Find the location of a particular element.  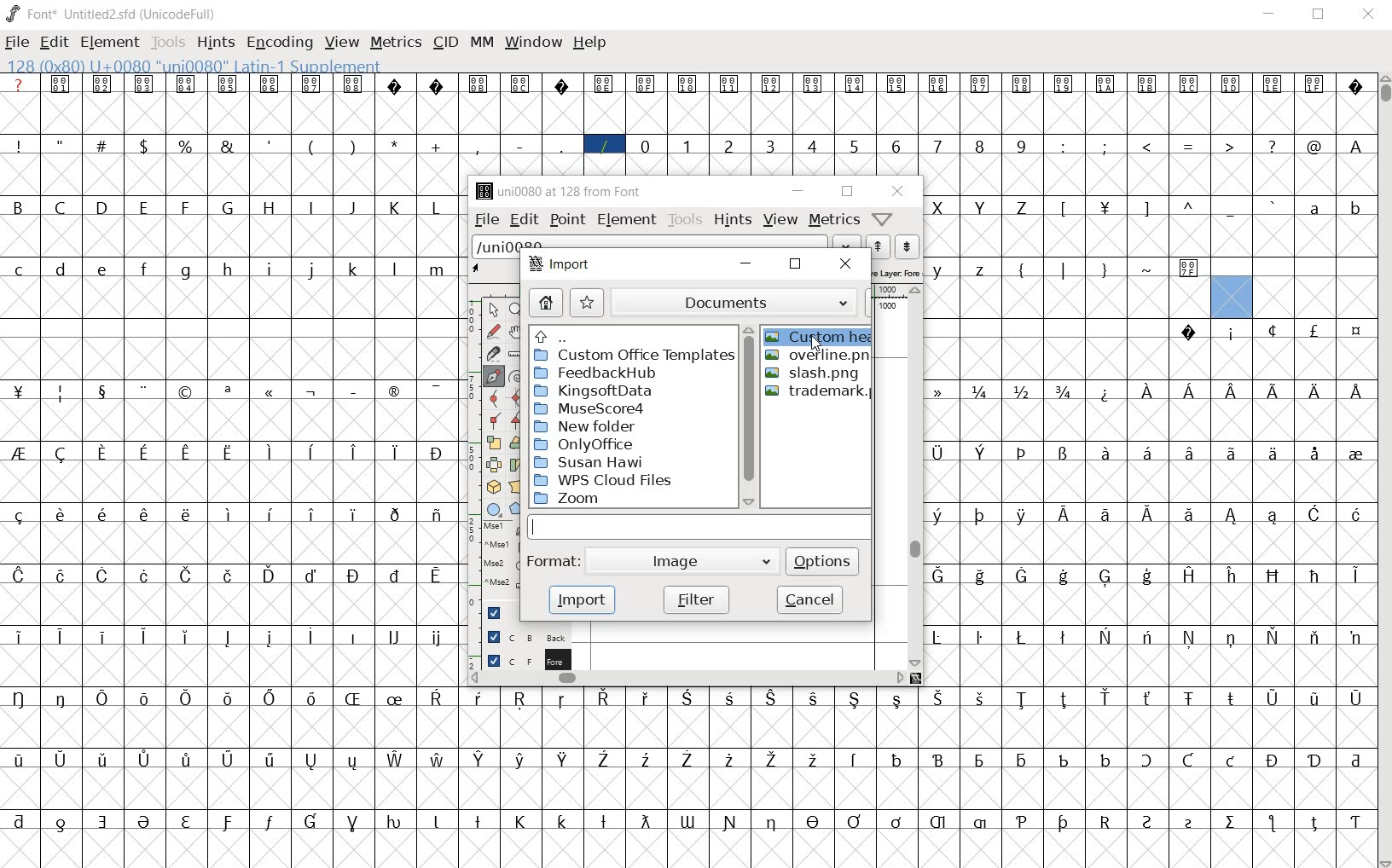

glyph is located at coordinates (855, 760).